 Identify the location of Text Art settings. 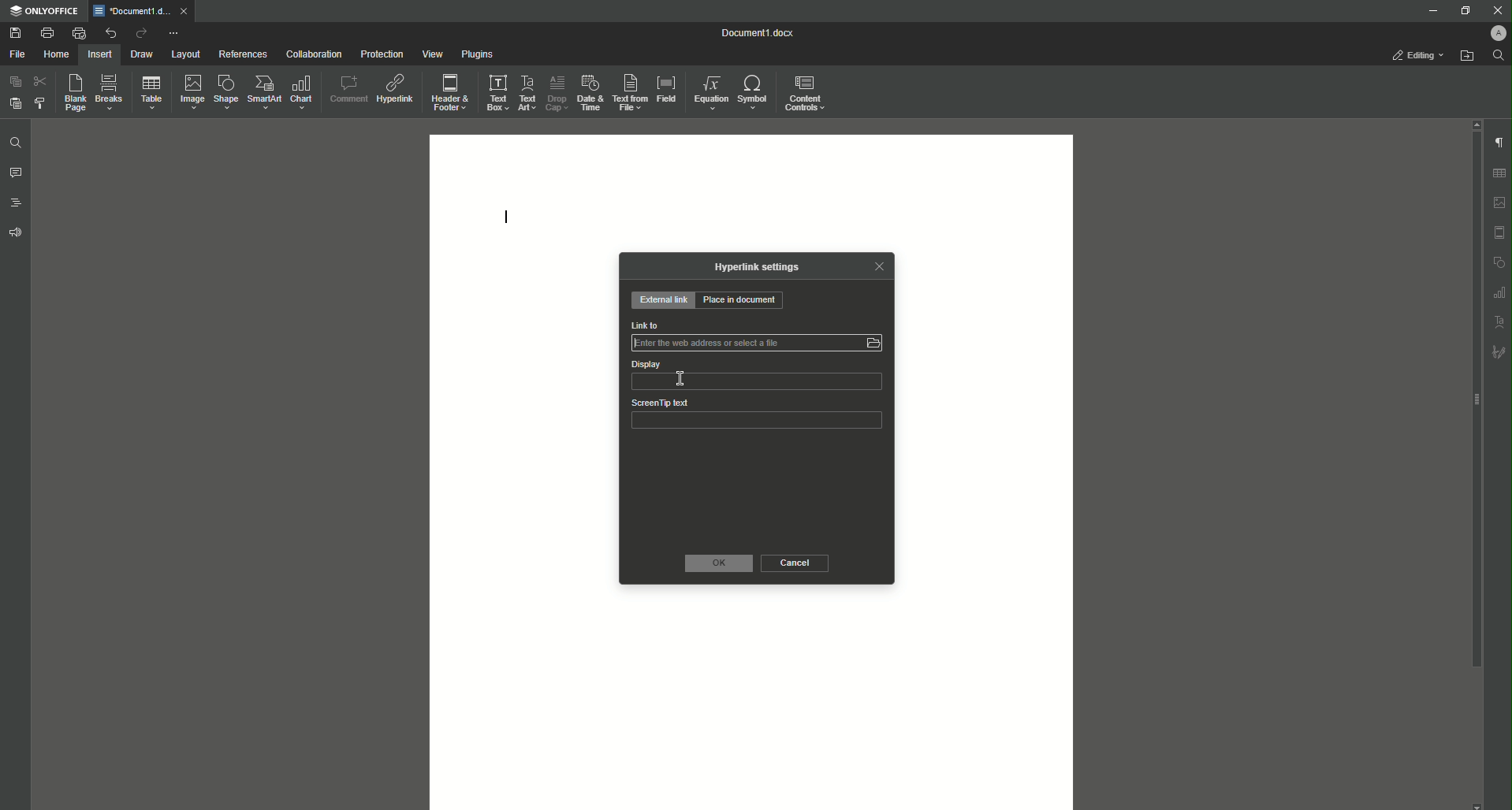
(1500, 322).